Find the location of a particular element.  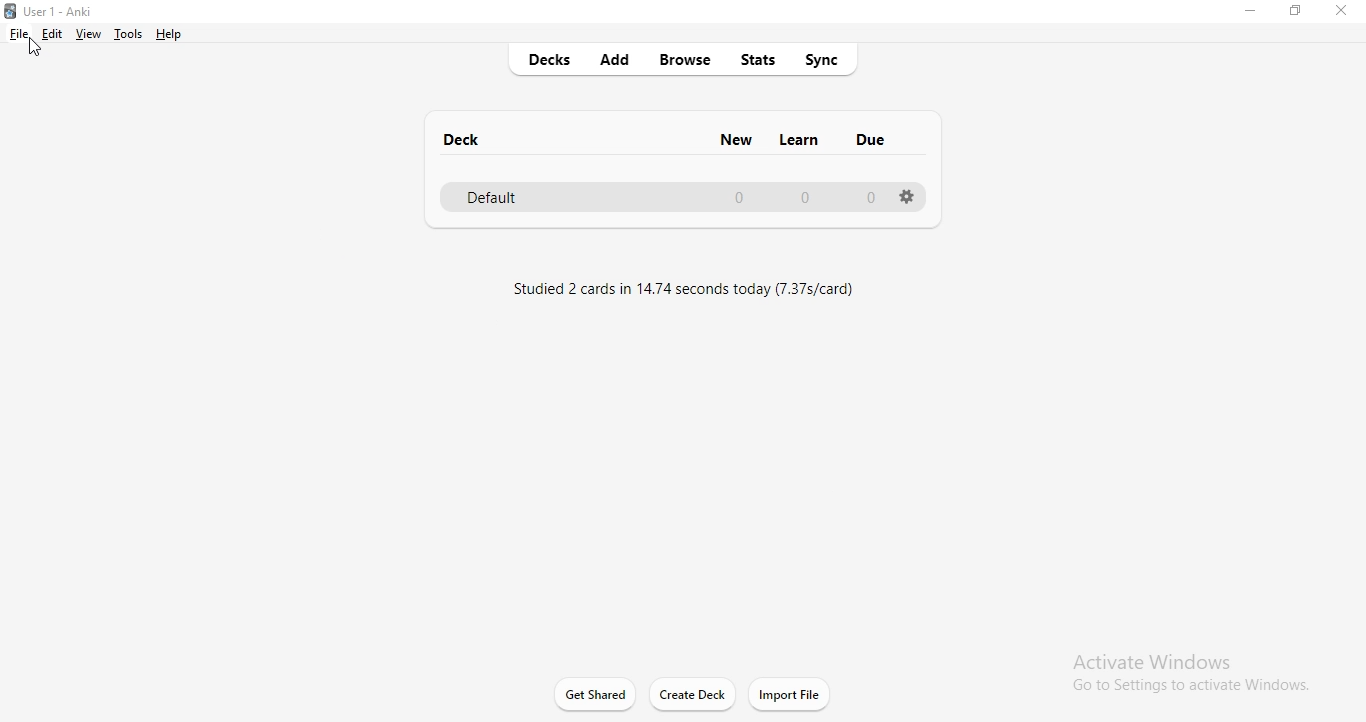

browse is located at coordinates (688, 60).